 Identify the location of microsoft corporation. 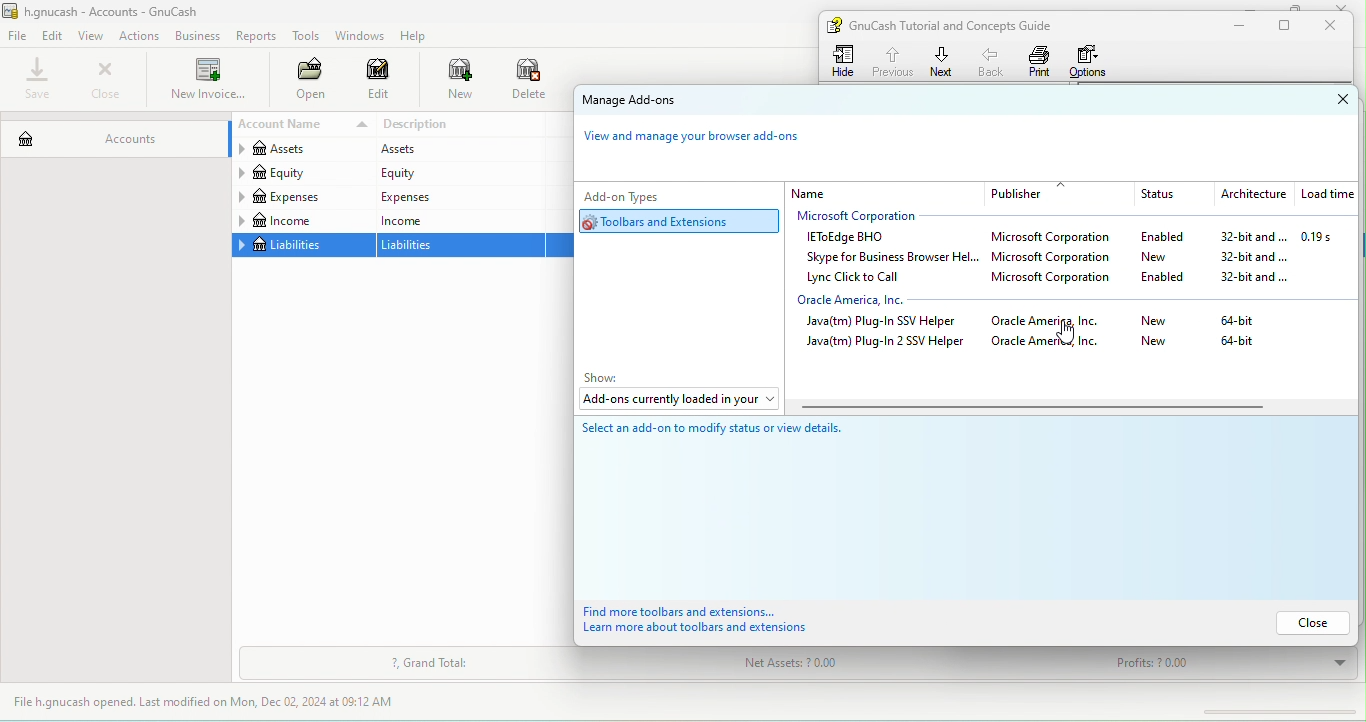
(1058, 280).